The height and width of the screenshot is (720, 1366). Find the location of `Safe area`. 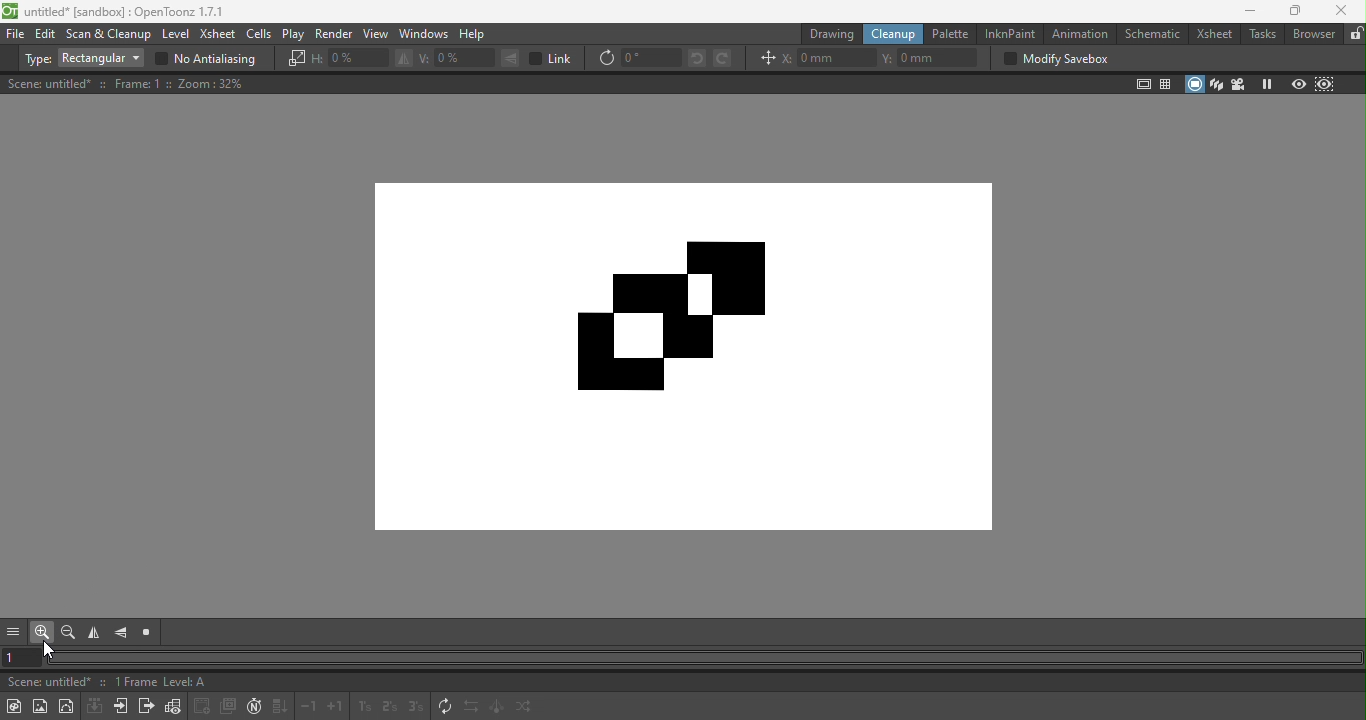

Safe area is located at coordinates (1141, 84).